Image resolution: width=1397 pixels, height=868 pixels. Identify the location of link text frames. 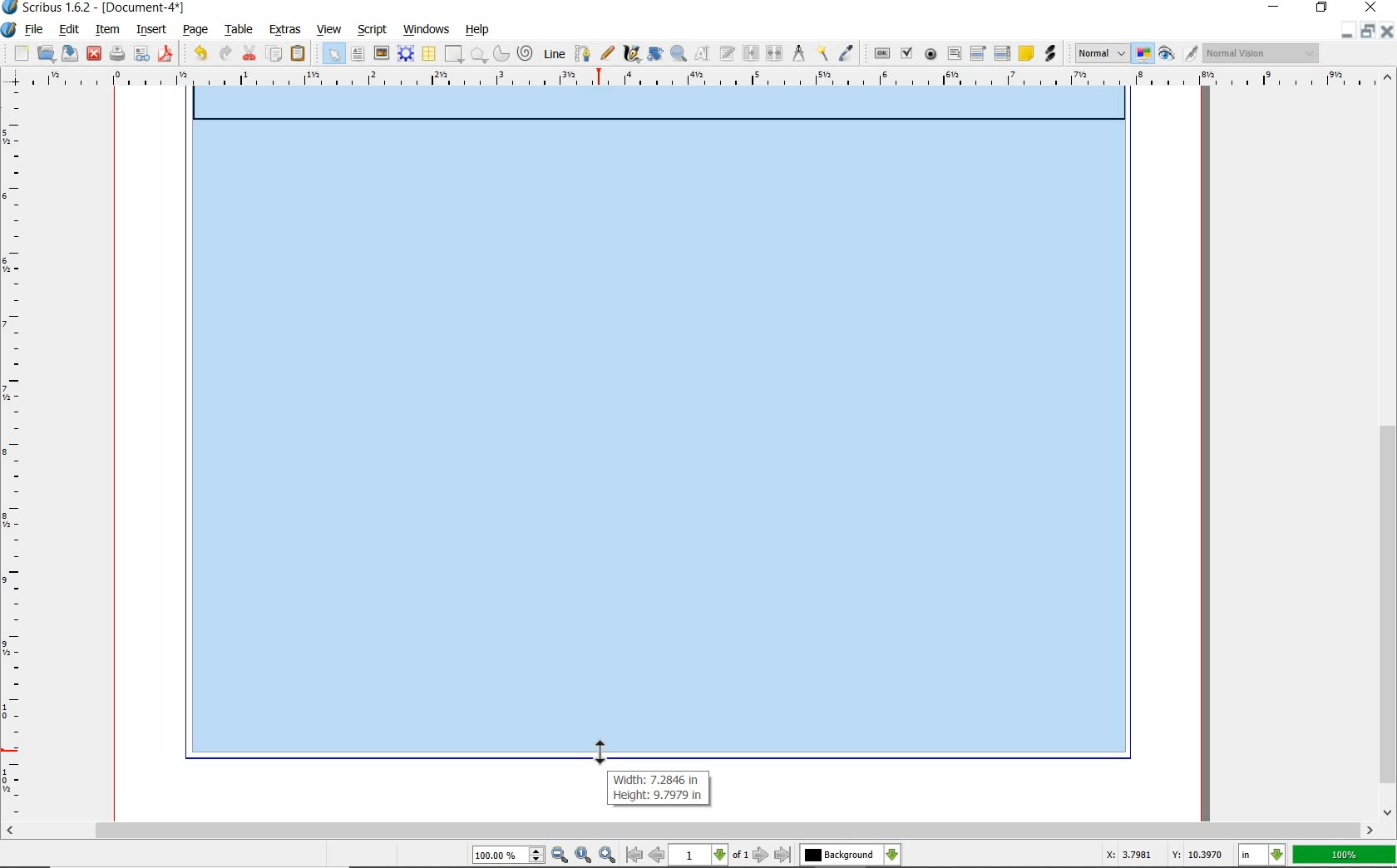
(748, 52).